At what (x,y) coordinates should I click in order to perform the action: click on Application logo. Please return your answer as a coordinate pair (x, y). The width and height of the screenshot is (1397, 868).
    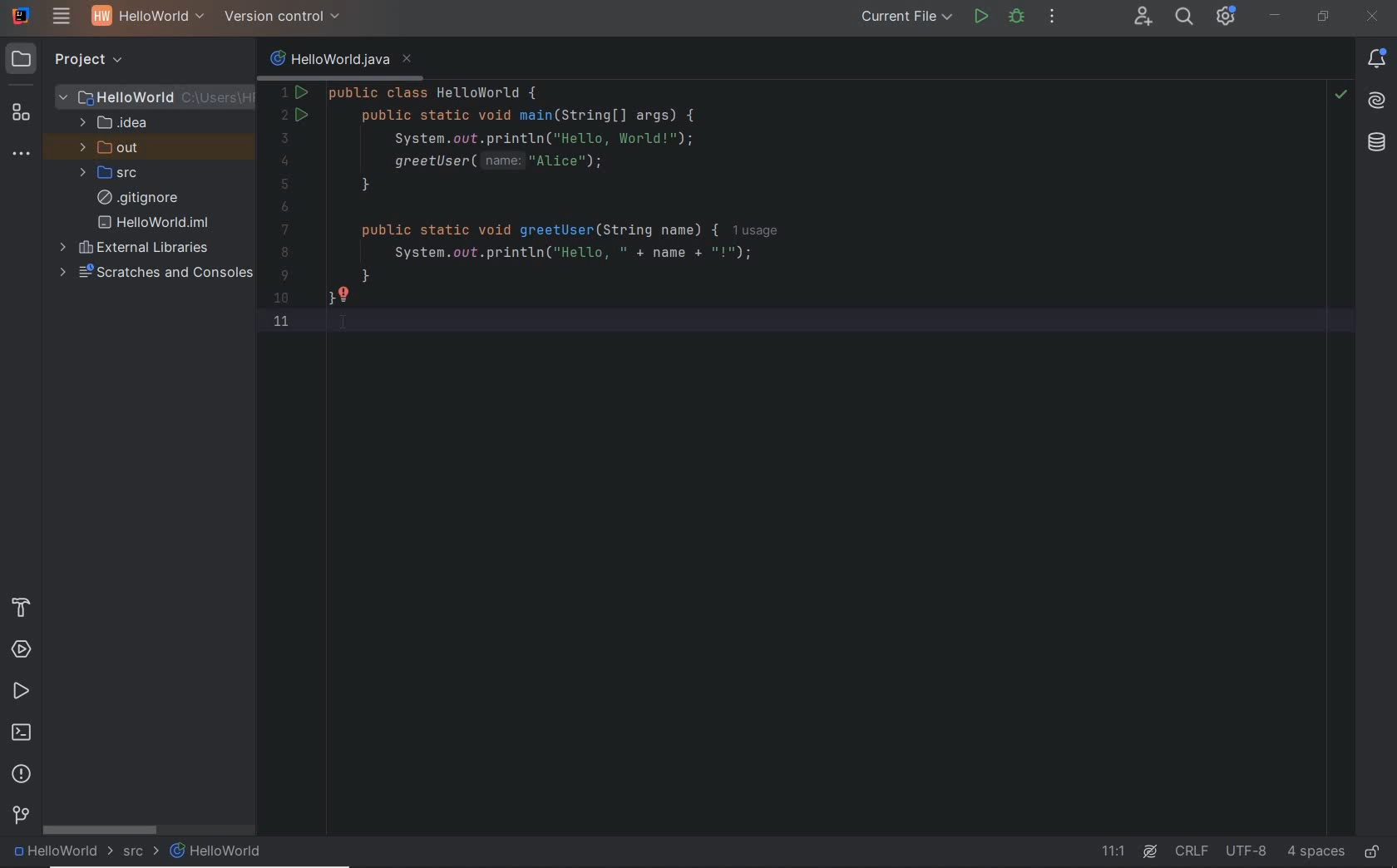
    Looking at the image, I should click on (22, 16).